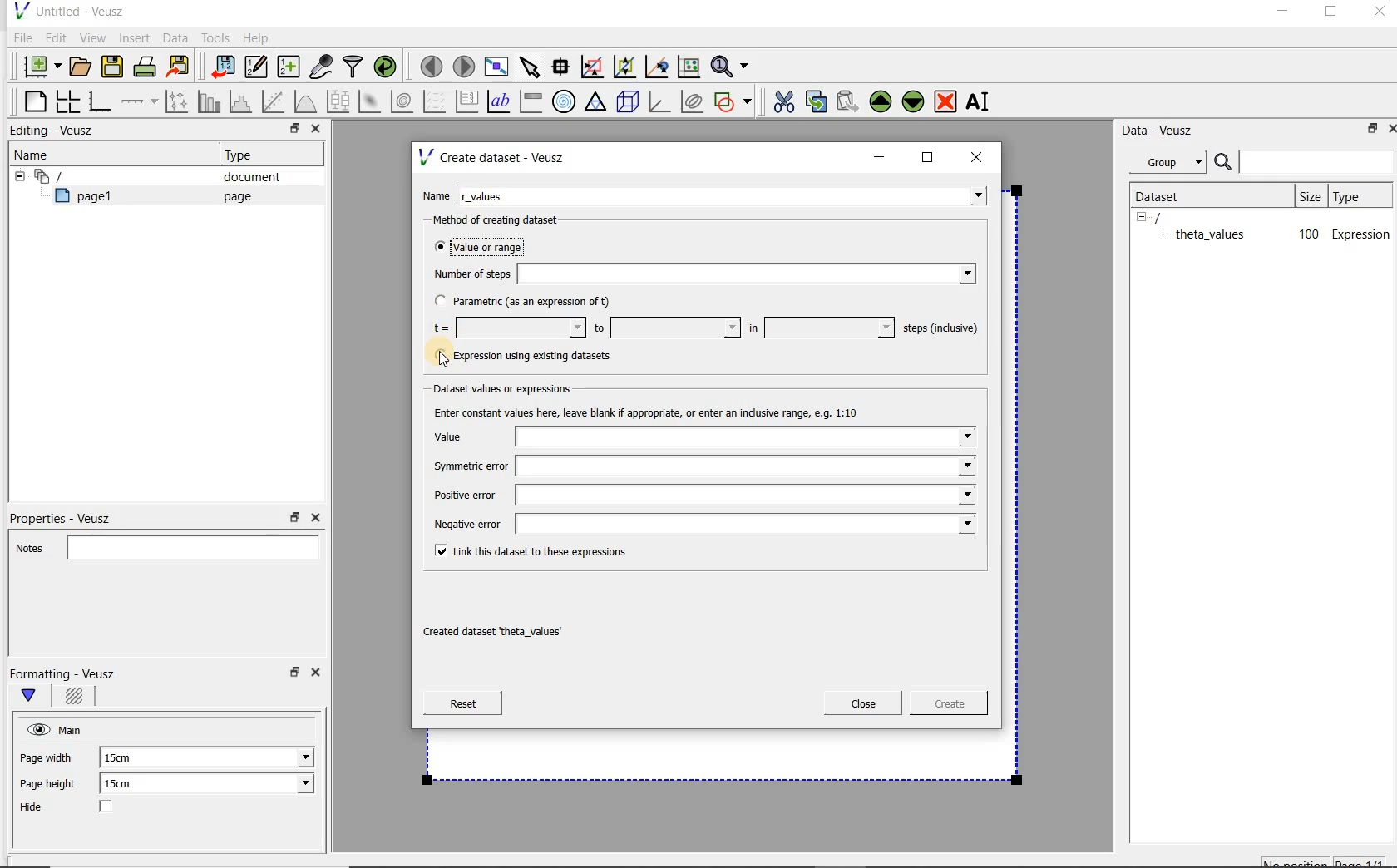 This screenshot has width=1397, height=868. Describe the element at coordinates (210, 101) in the screenshot. I see `plot bar charts` at that location.